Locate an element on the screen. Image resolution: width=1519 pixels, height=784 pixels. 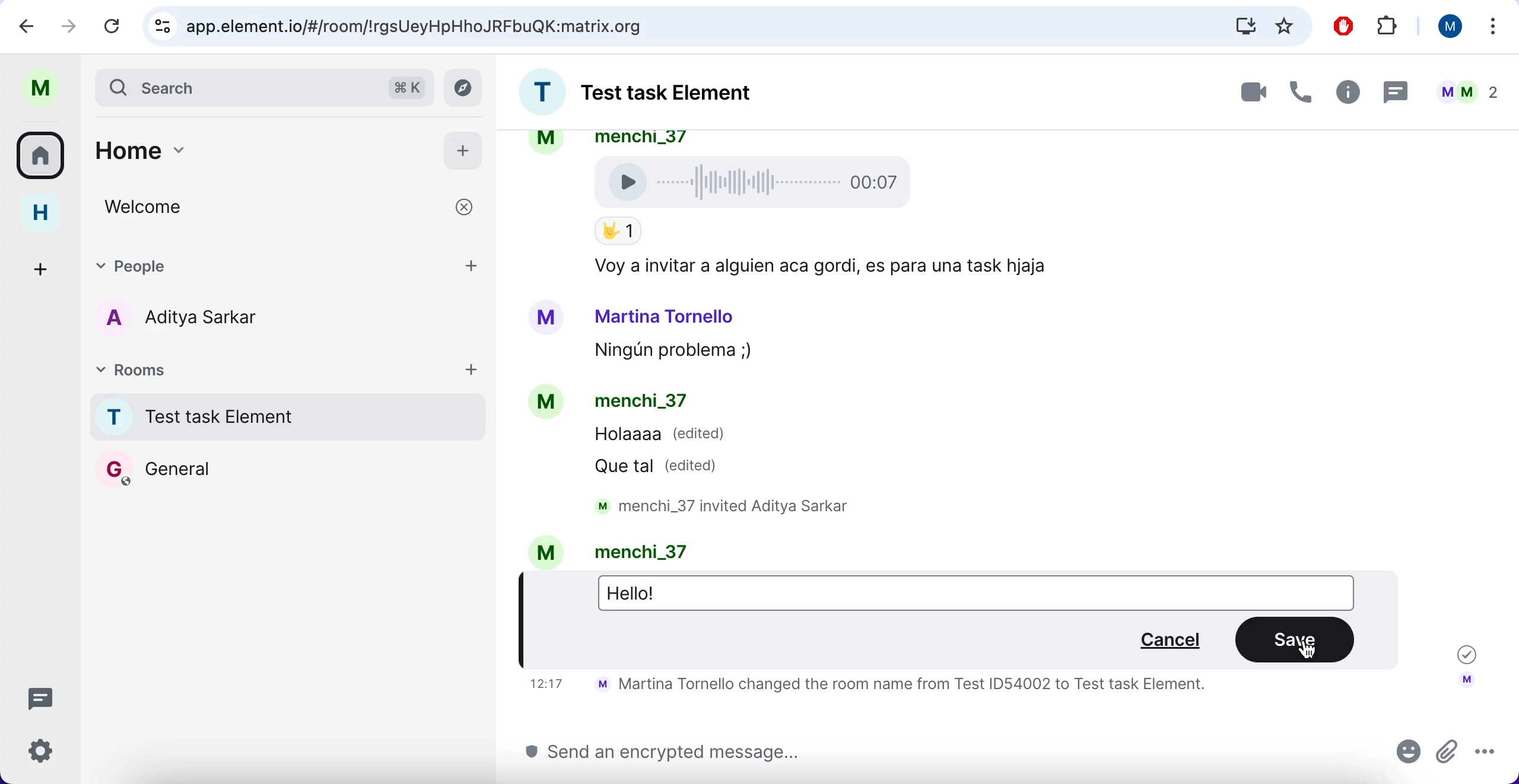
all rooms is located at coordinates (43, 157).